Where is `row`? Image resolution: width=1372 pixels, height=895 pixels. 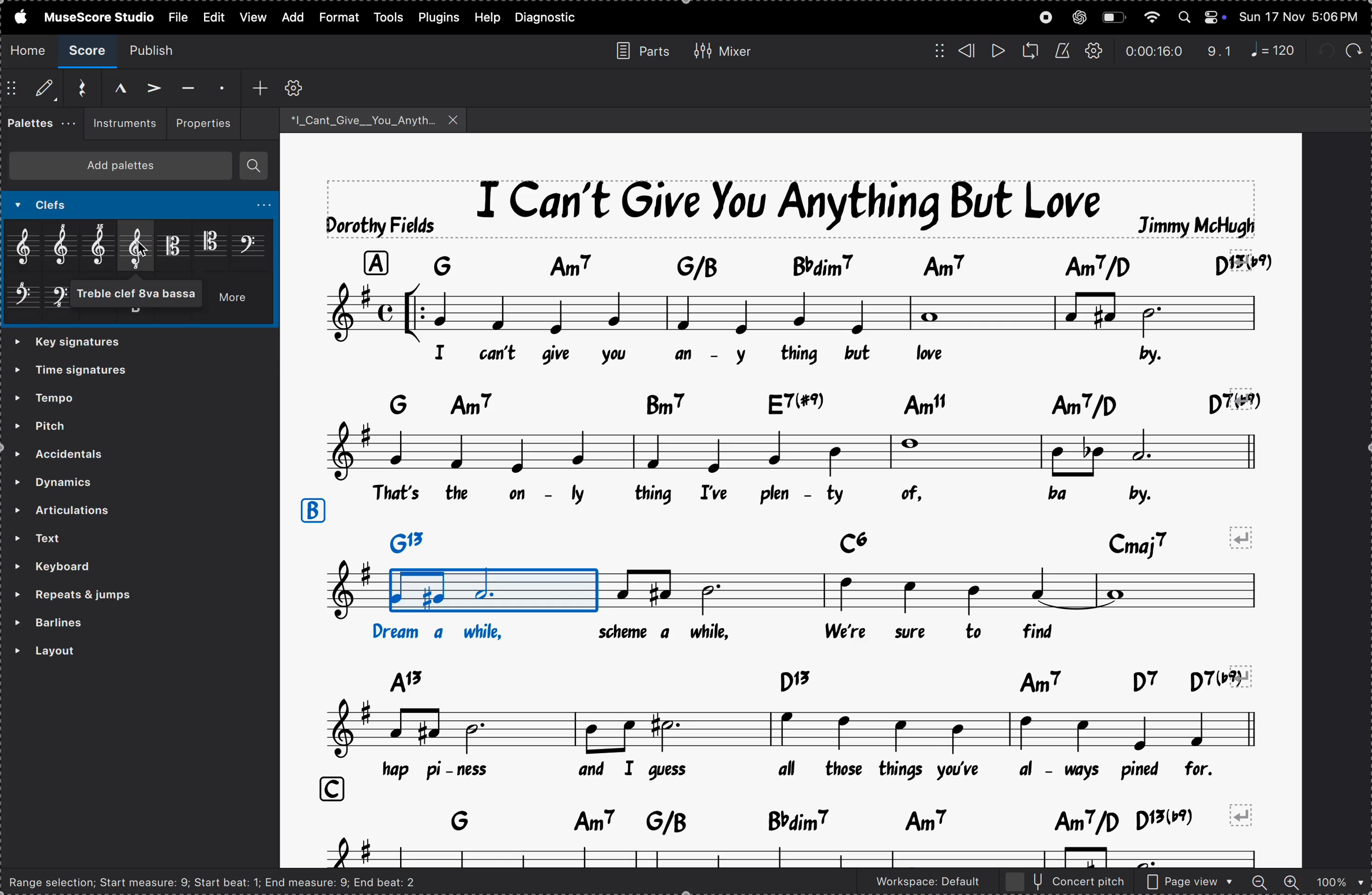 row is located at coordinates (327, 789).